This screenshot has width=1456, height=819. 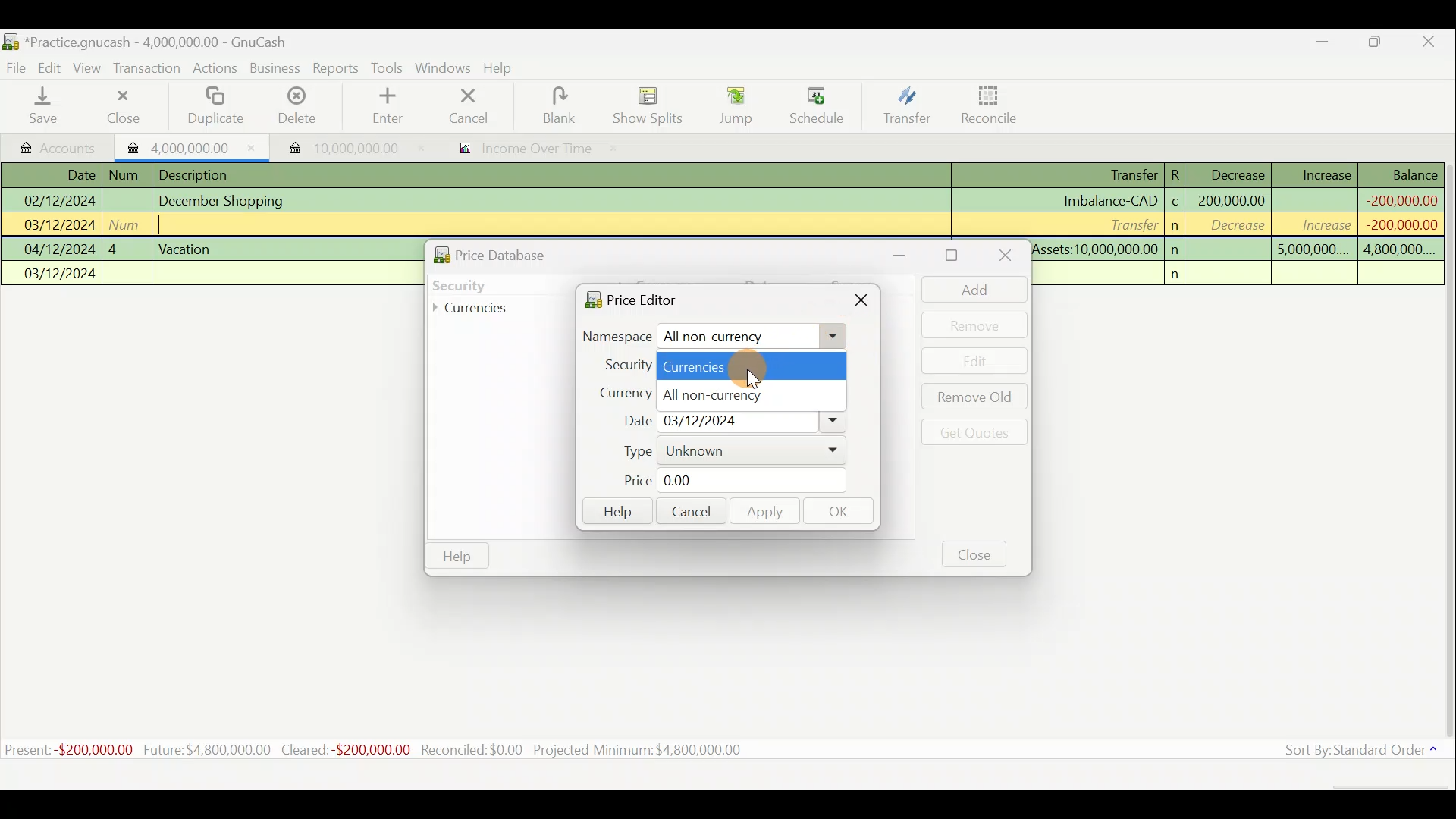 I want to click on Reports, so click(x=335, y=68).